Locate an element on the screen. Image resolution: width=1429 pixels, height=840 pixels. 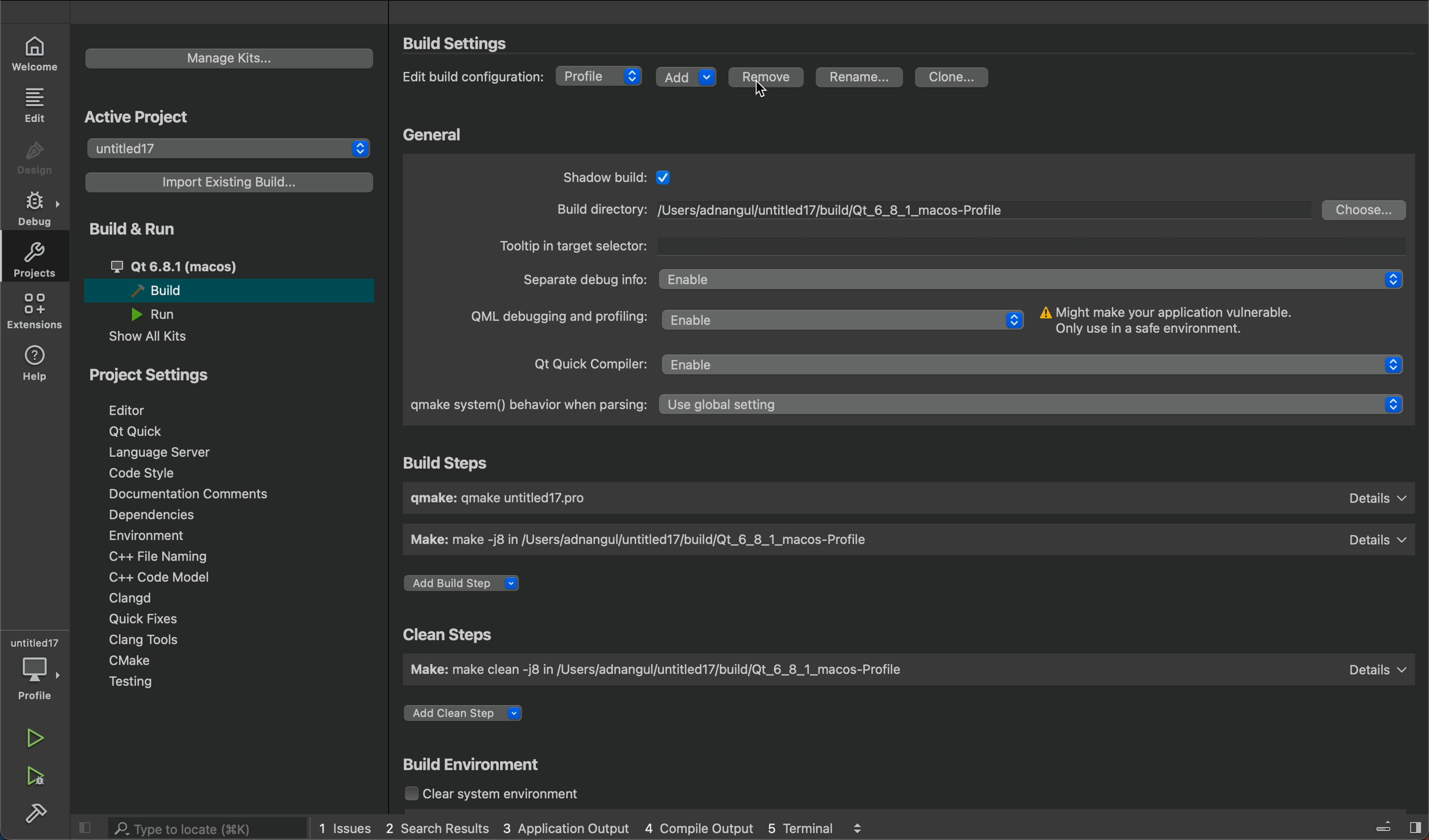
general settings is located at coordinates (549, 174).